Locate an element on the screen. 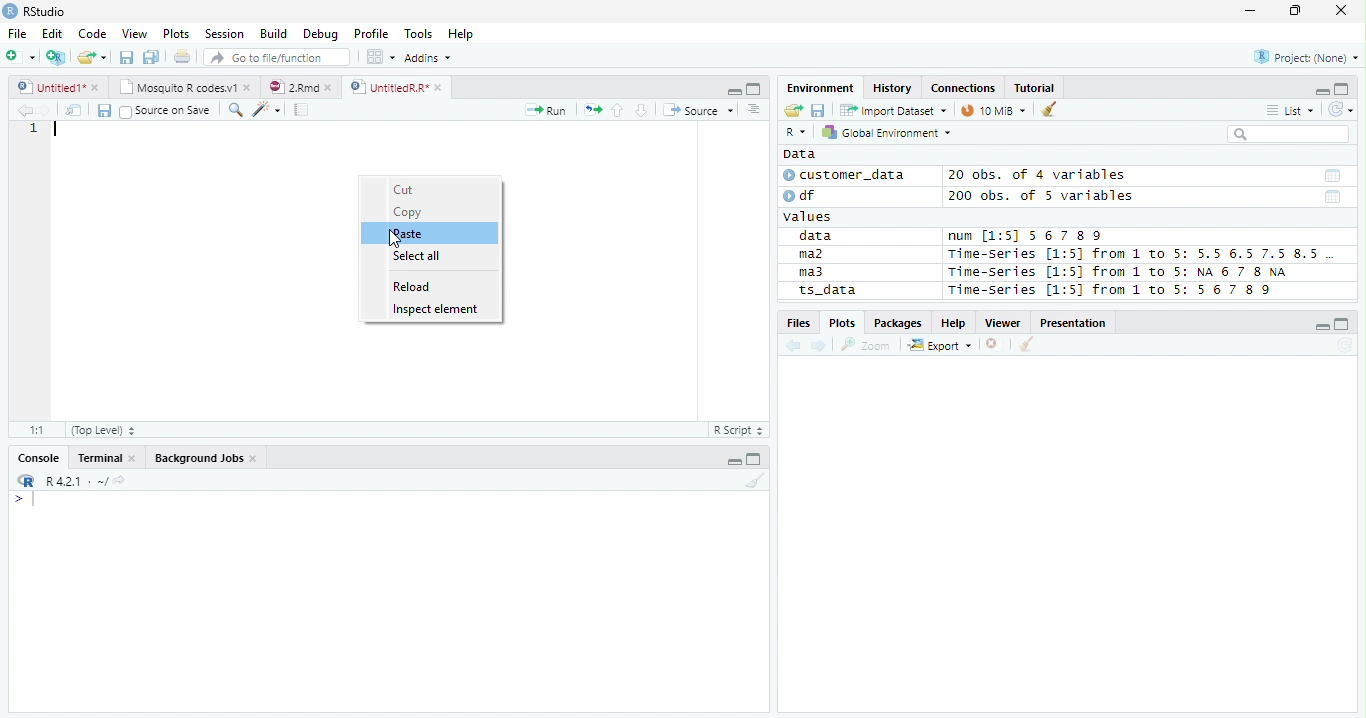 Image resolution: width=1366 pixels, height=718 pixels. Cut is located at coordinates (402, 190).